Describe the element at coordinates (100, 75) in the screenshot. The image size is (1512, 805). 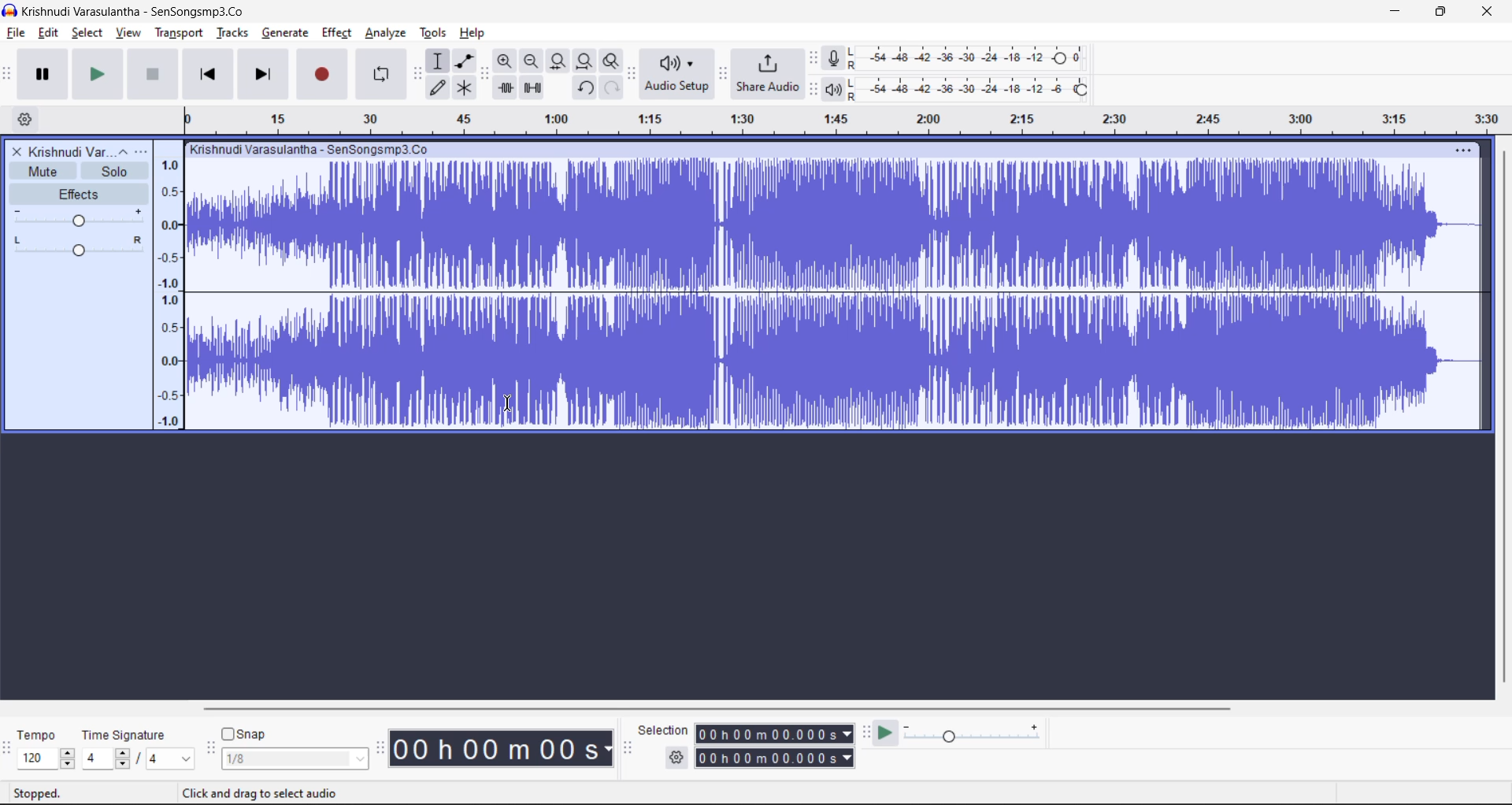
I see `play` at that location.